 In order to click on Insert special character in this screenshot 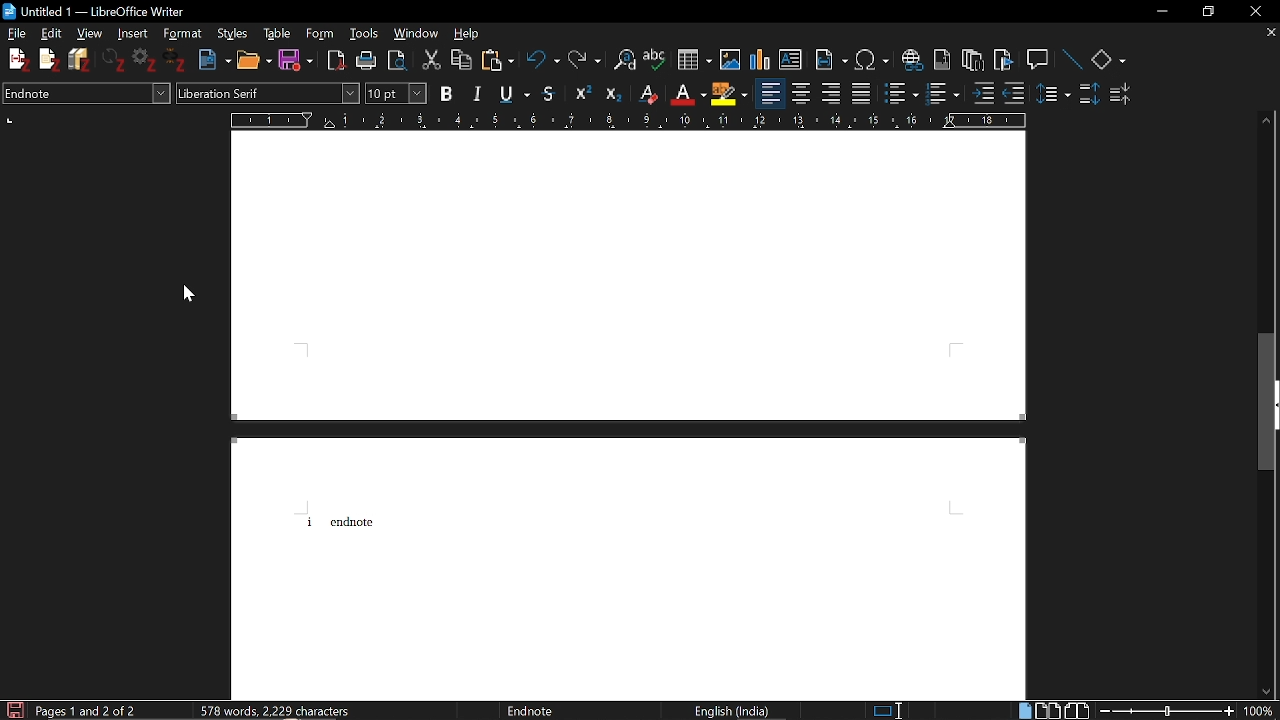, I will do `click(871, 60)`.